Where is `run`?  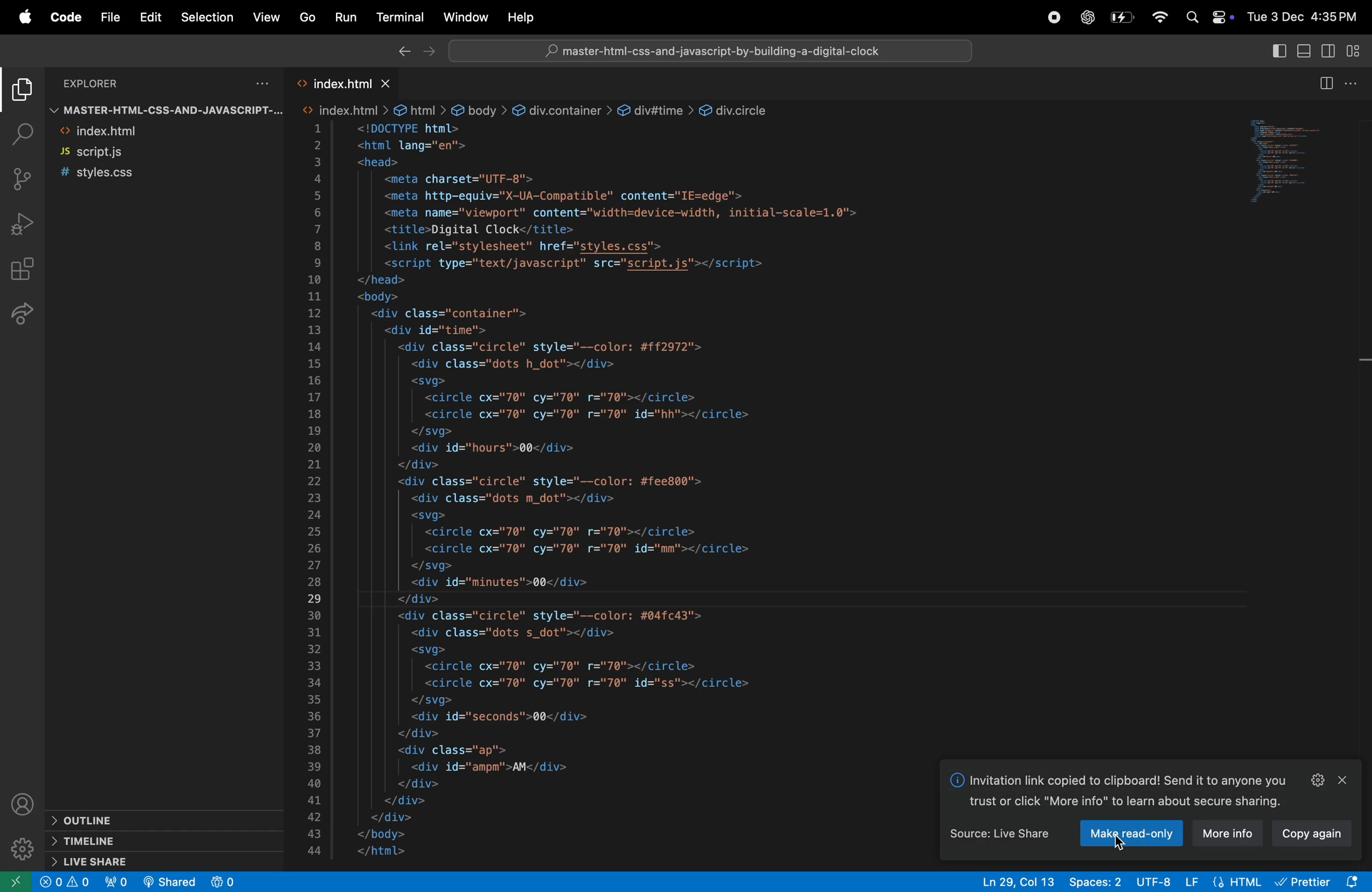
run is located at coordinates (346, 17).